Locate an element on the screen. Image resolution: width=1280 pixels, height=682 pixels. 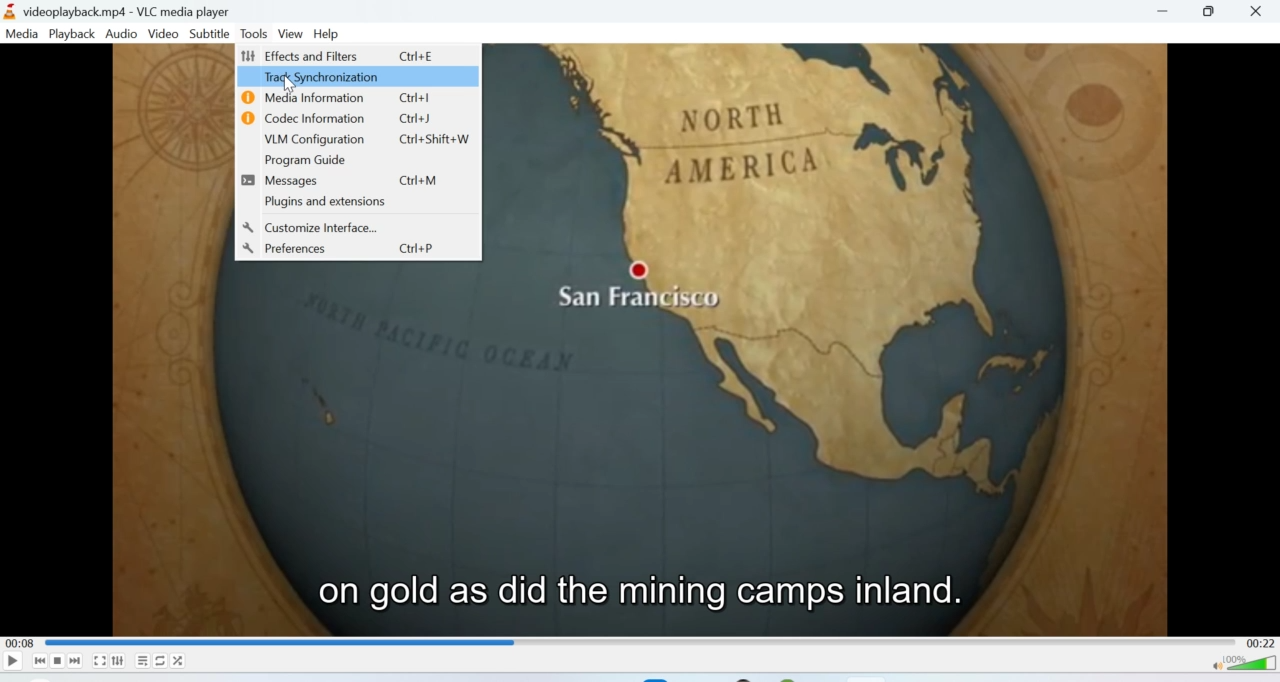
00:22 is located at coordinates (1263, 644).